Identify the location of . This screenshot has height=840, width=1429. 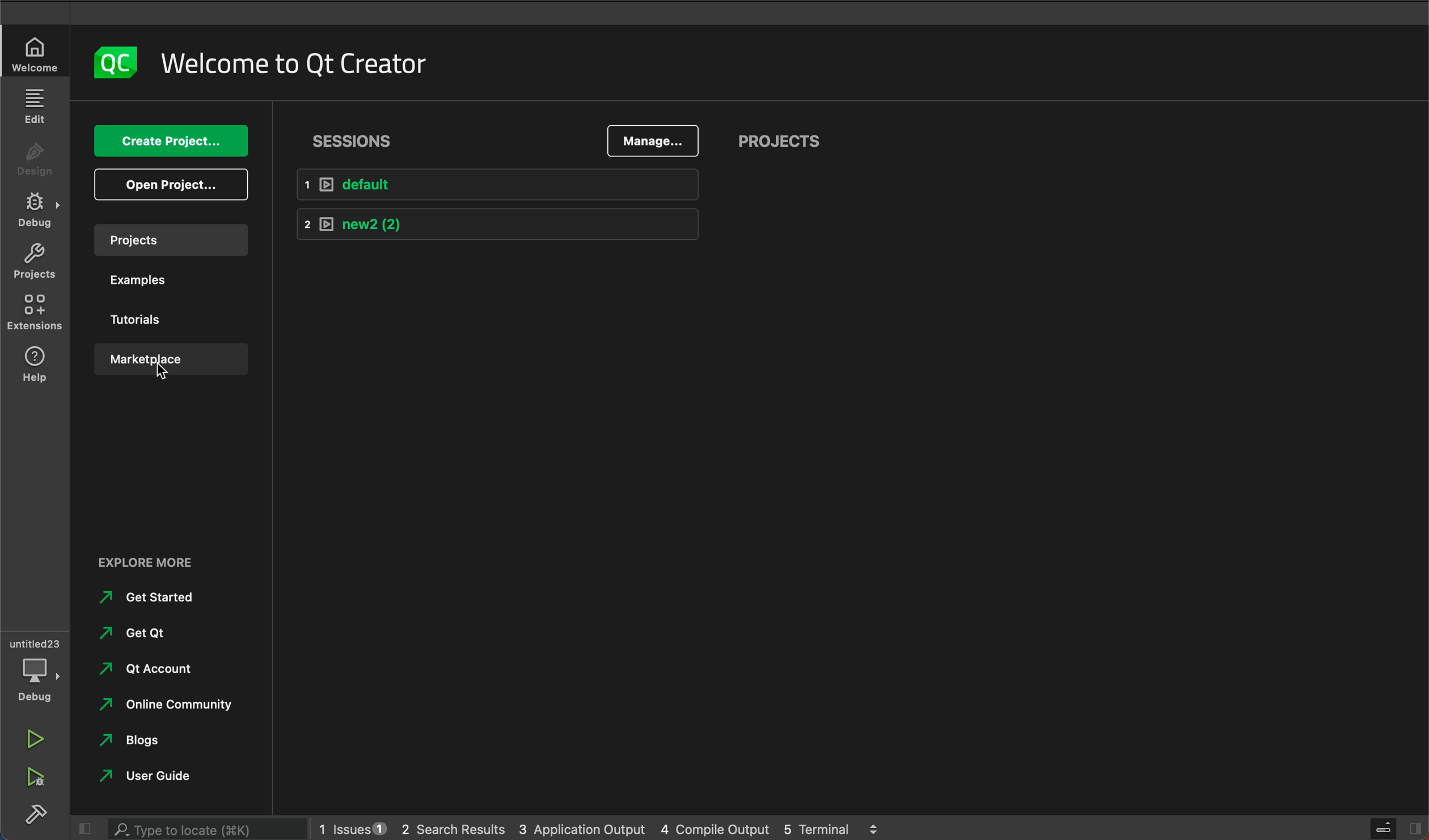
(163, 775).